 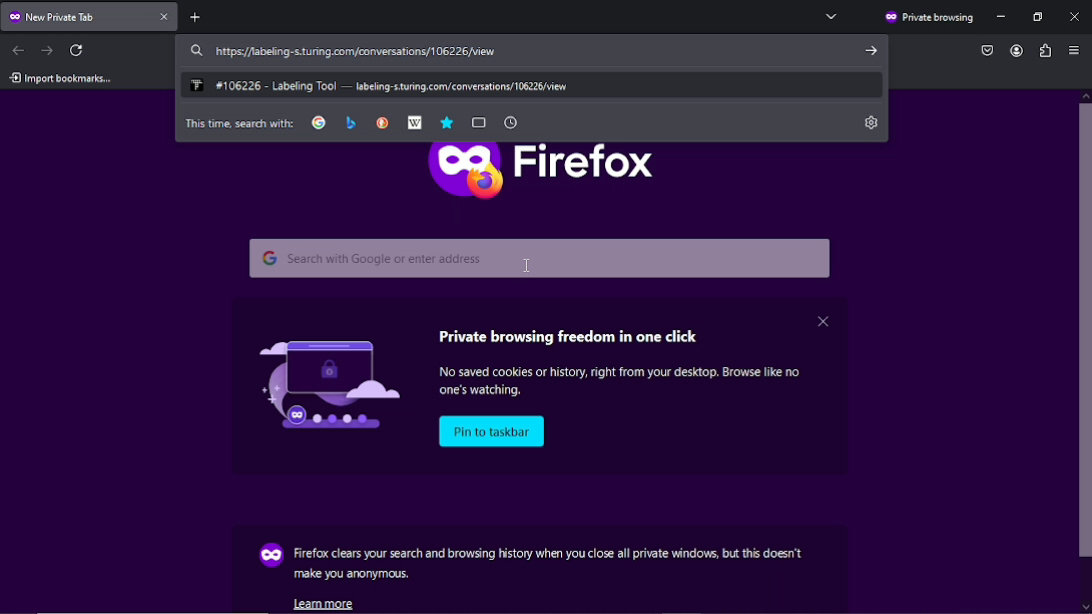 I want to click on icon, so click(x=269, y=556).